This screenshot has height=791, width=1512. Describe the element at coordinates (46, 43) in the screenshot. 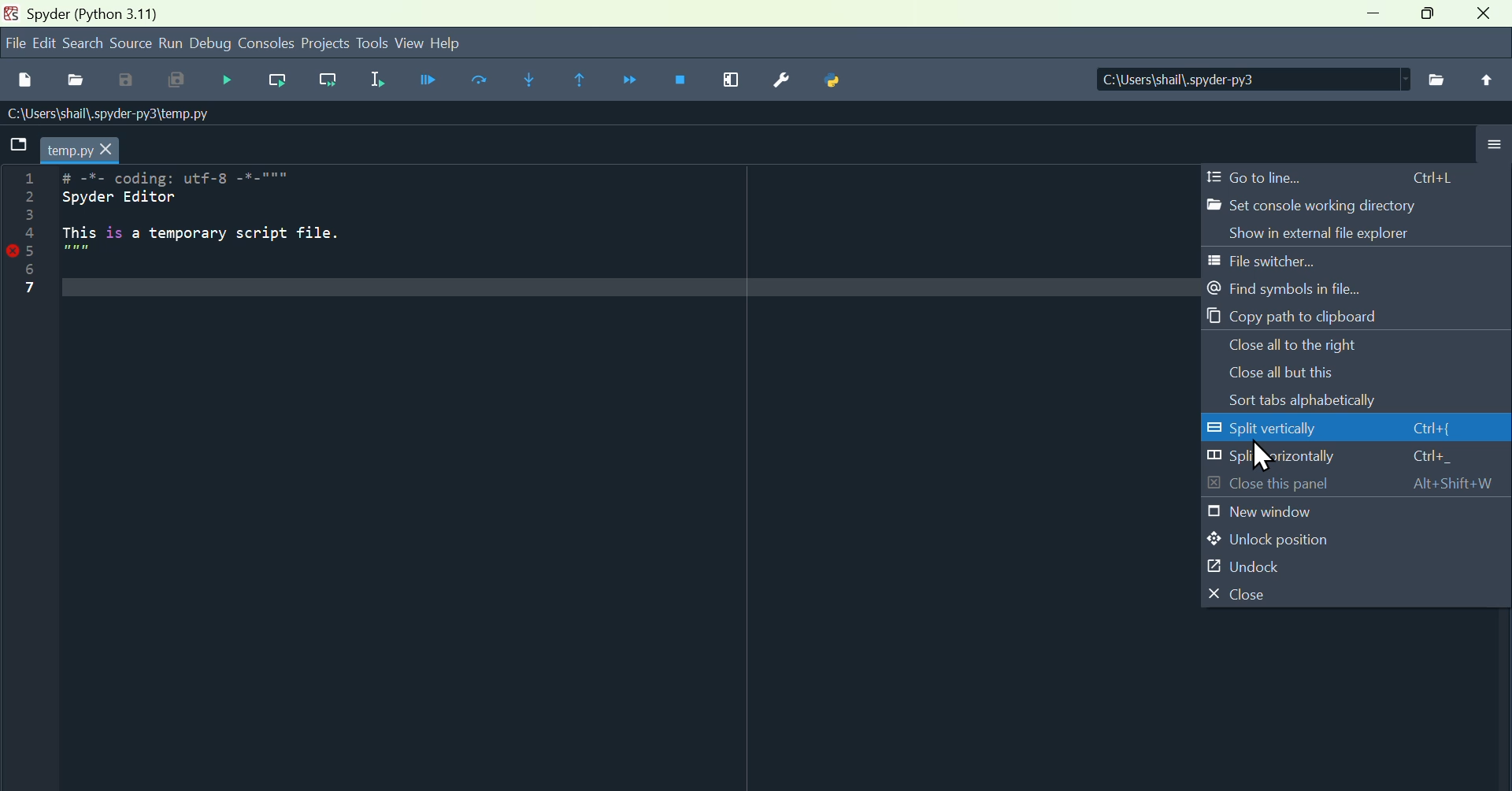

I see `` at that location.